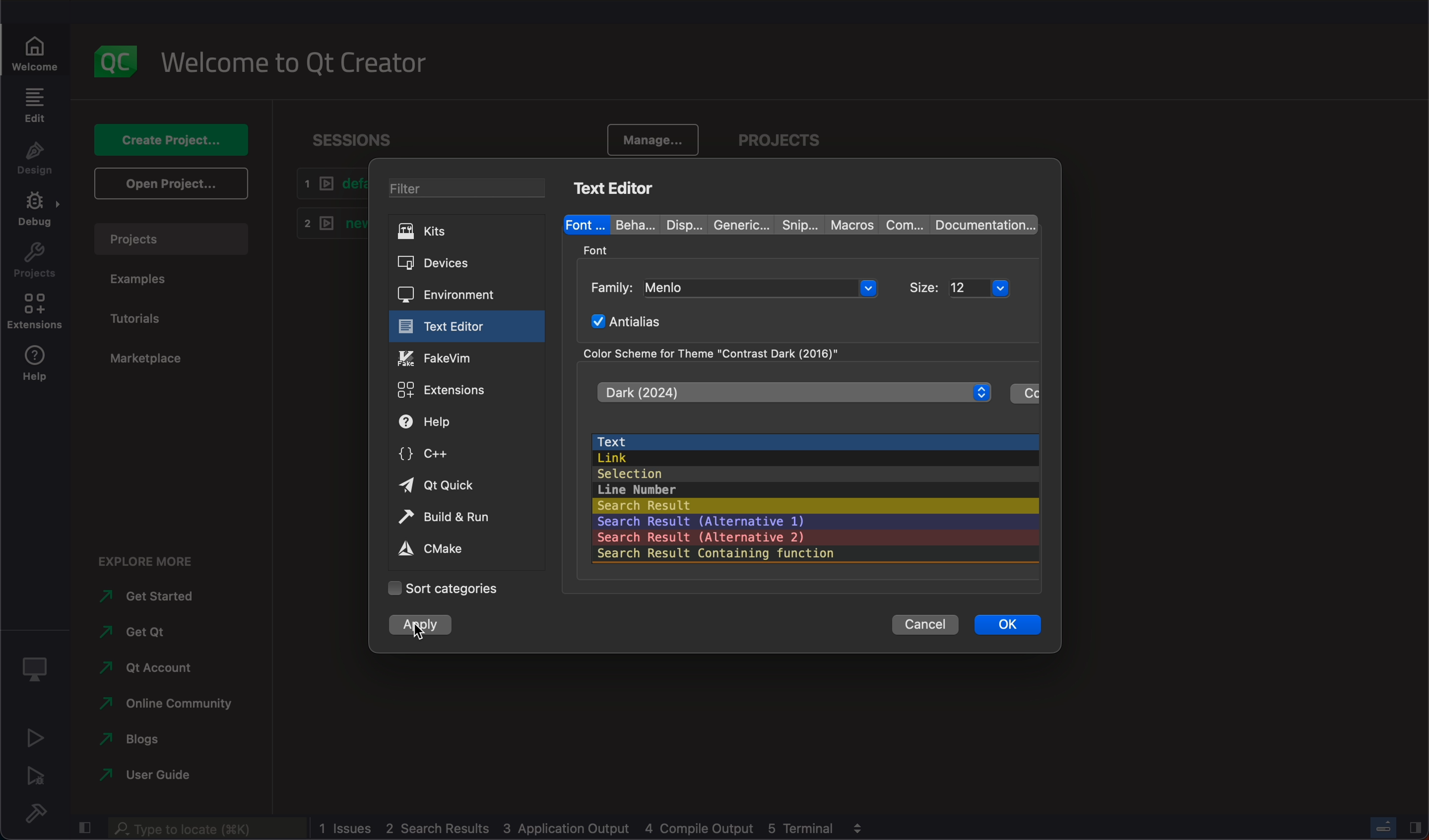  What do you see at coordinates (145, 282) in the screenshot?
I see `examples` at bounding box center [145, 282].